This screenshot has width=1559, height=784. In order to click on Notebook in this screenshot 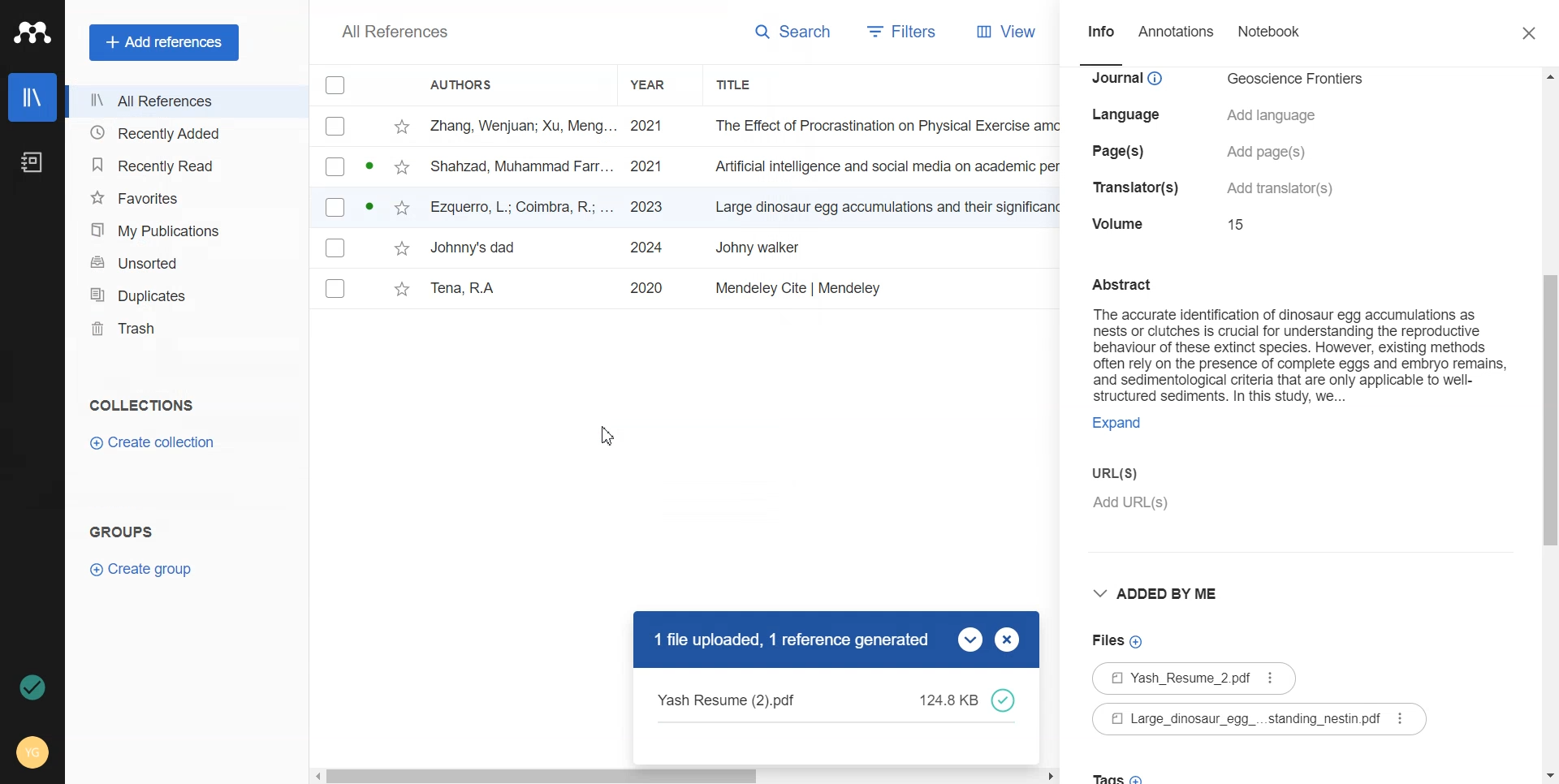, I will do `click(1271, 32)`.